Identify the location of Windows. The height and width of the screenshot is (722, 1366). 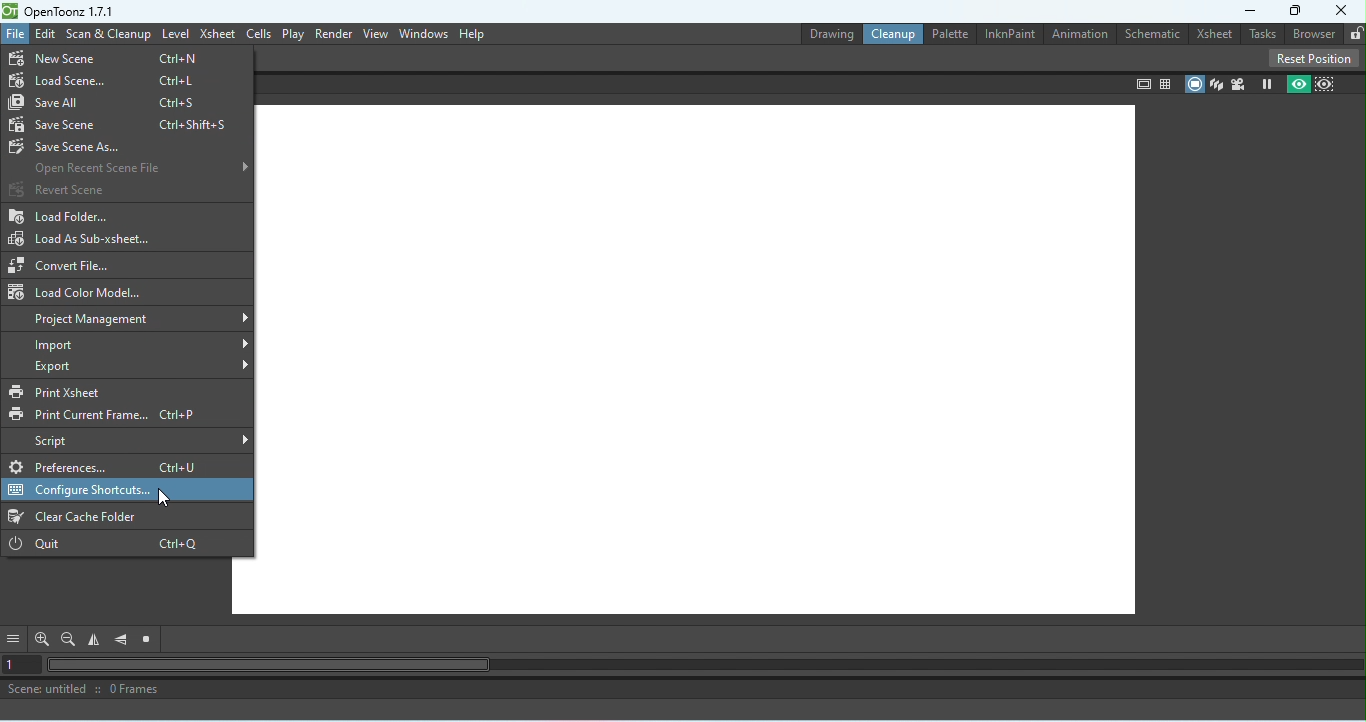
(424, 33).